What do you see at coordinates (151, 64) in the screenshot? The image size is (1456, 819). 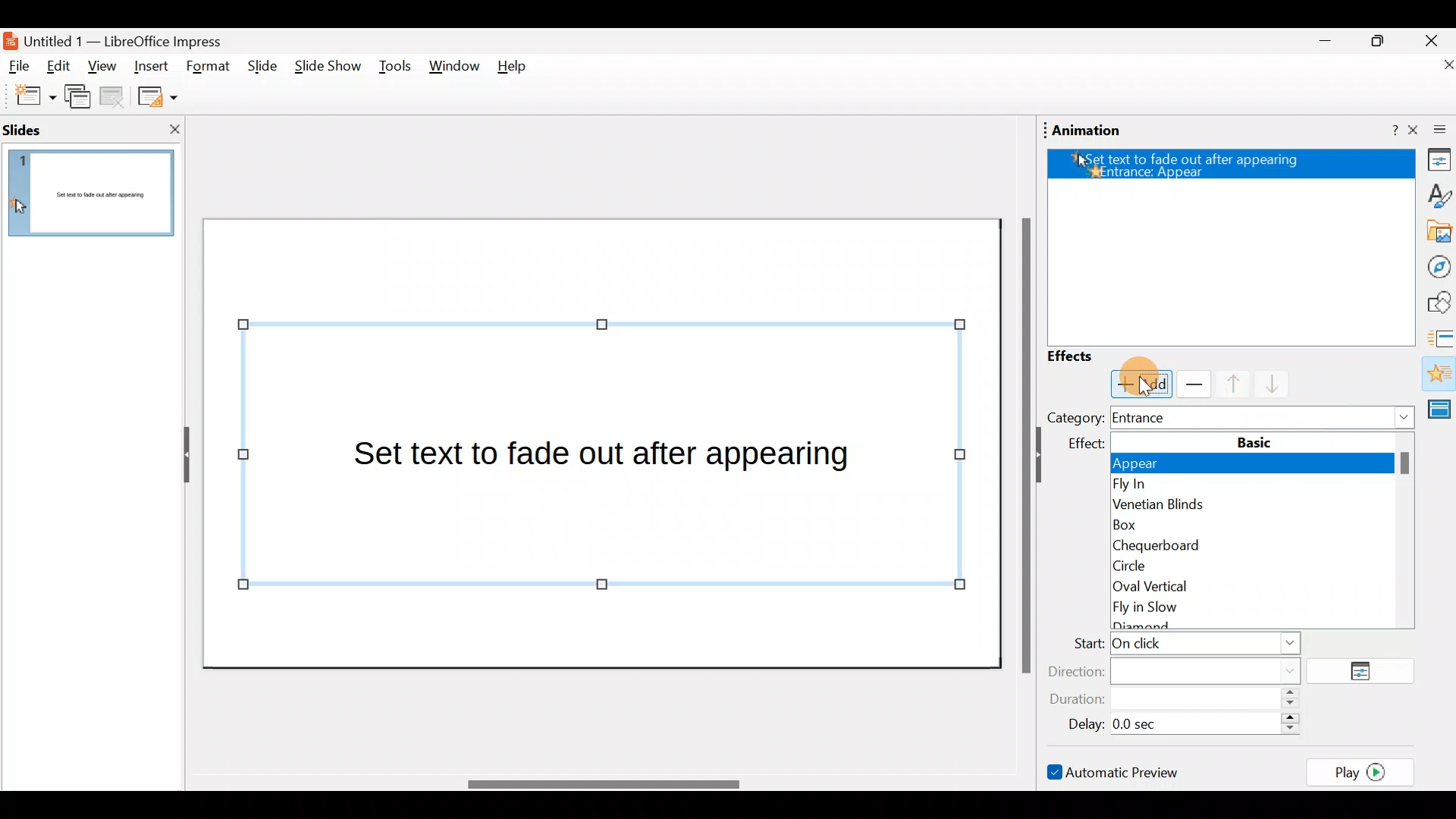 I see `Insert` at bounding box center [151, 64].